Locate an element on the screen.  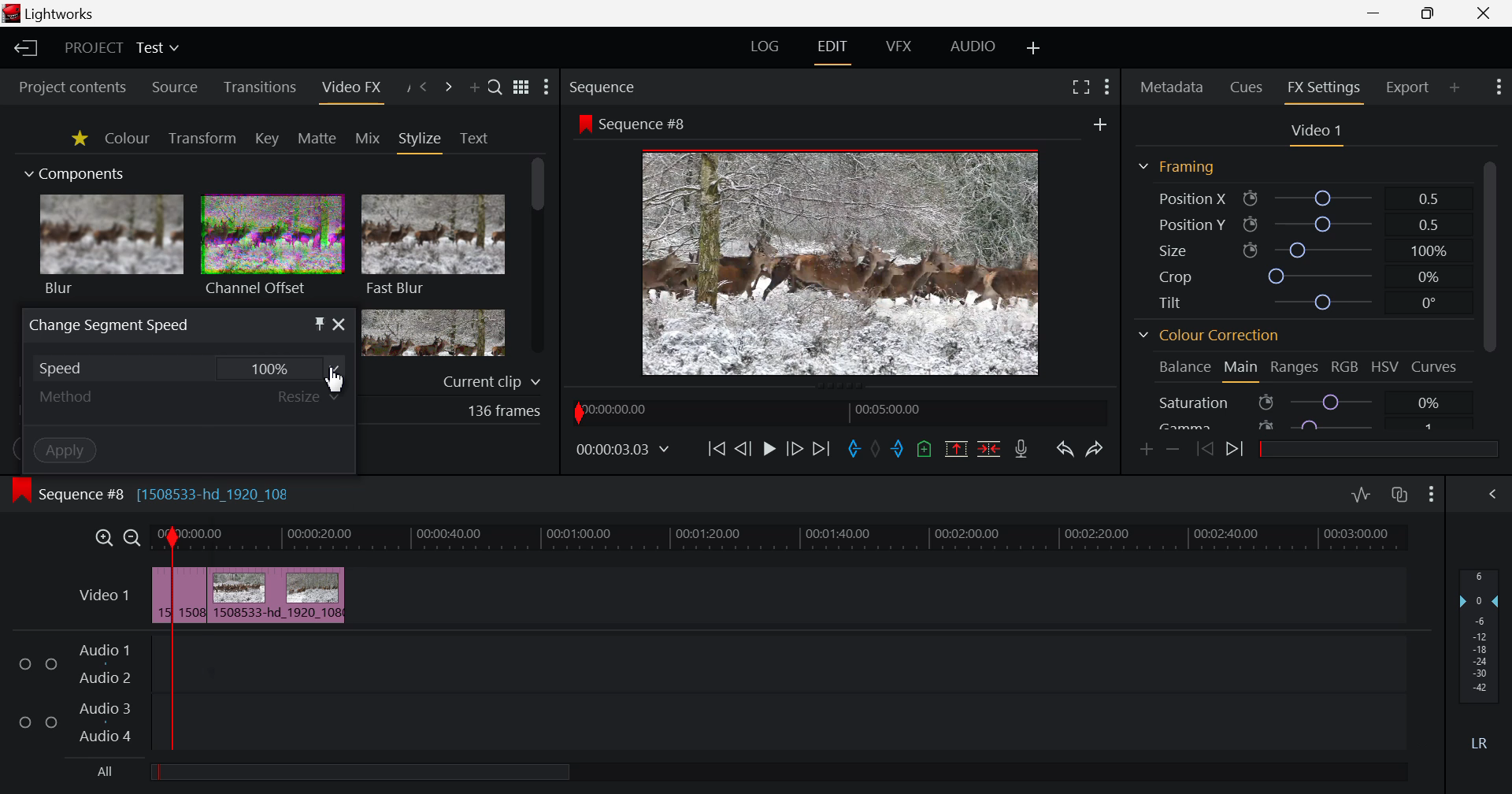
Toggle audio levels editing is located at coordinates (1361, 495).